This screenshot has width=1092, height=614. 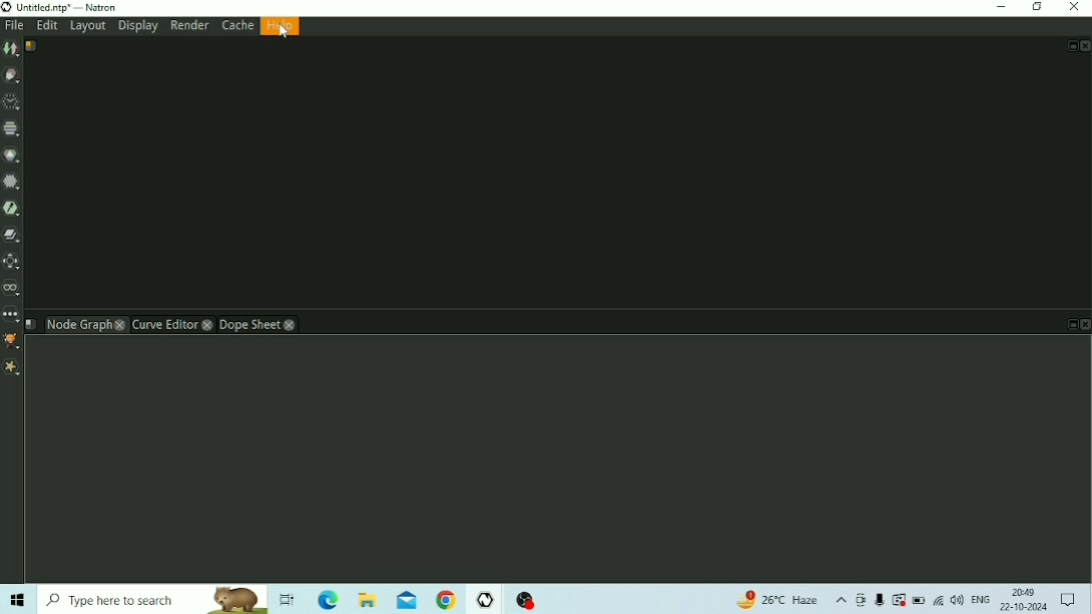 What do you see at coordinates (7, 7) in the screenshot?
I see `Logo` at bounding box center [7, 7].